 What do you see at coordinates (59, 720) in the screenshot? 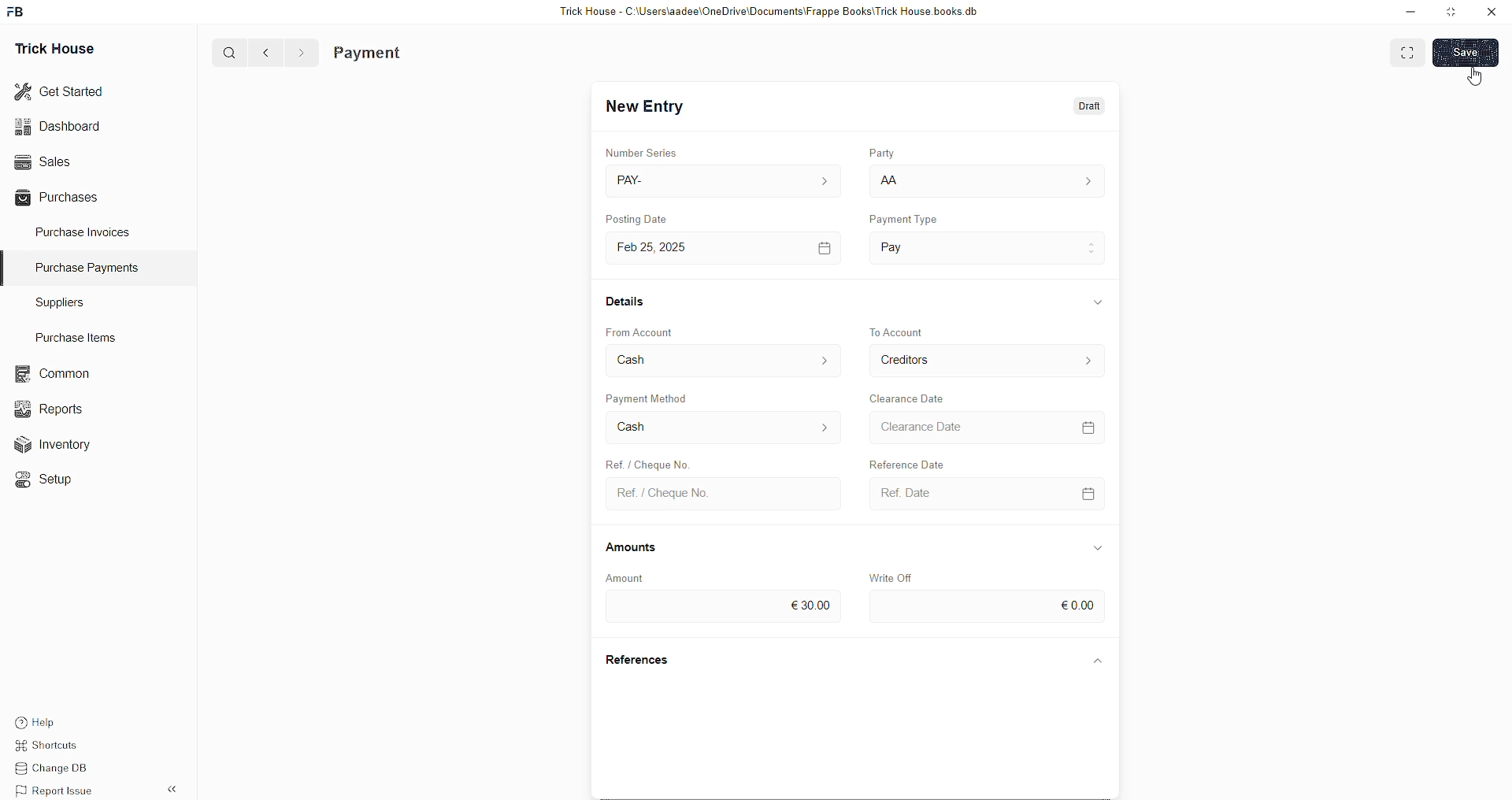
I see ` Help` at bounding box center [59, 720].